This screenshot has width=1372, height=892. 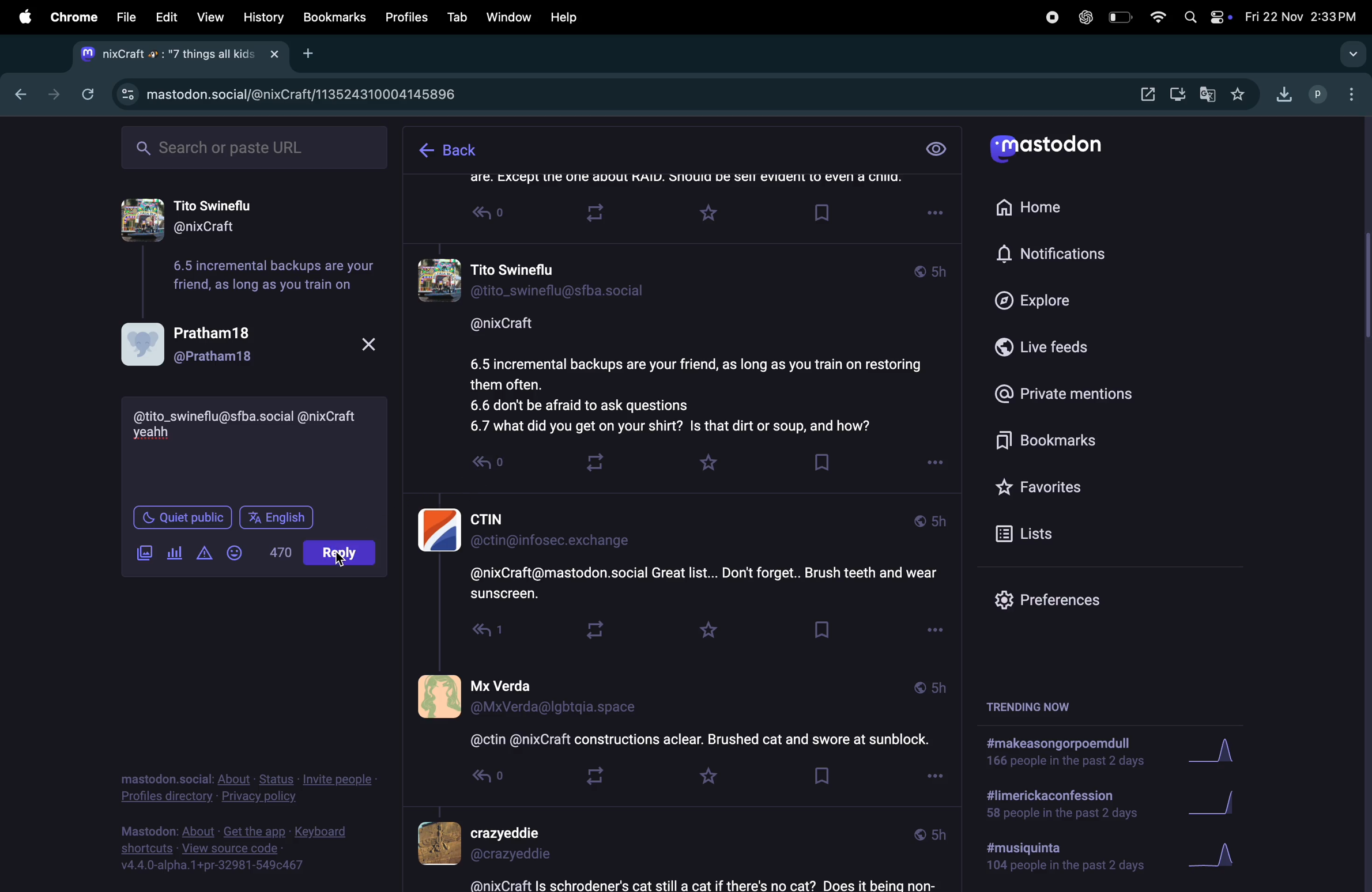 What do you see at coordinates (1211, 96) in the screenshot?
I see `translate` at bounding box center [1211, 96].